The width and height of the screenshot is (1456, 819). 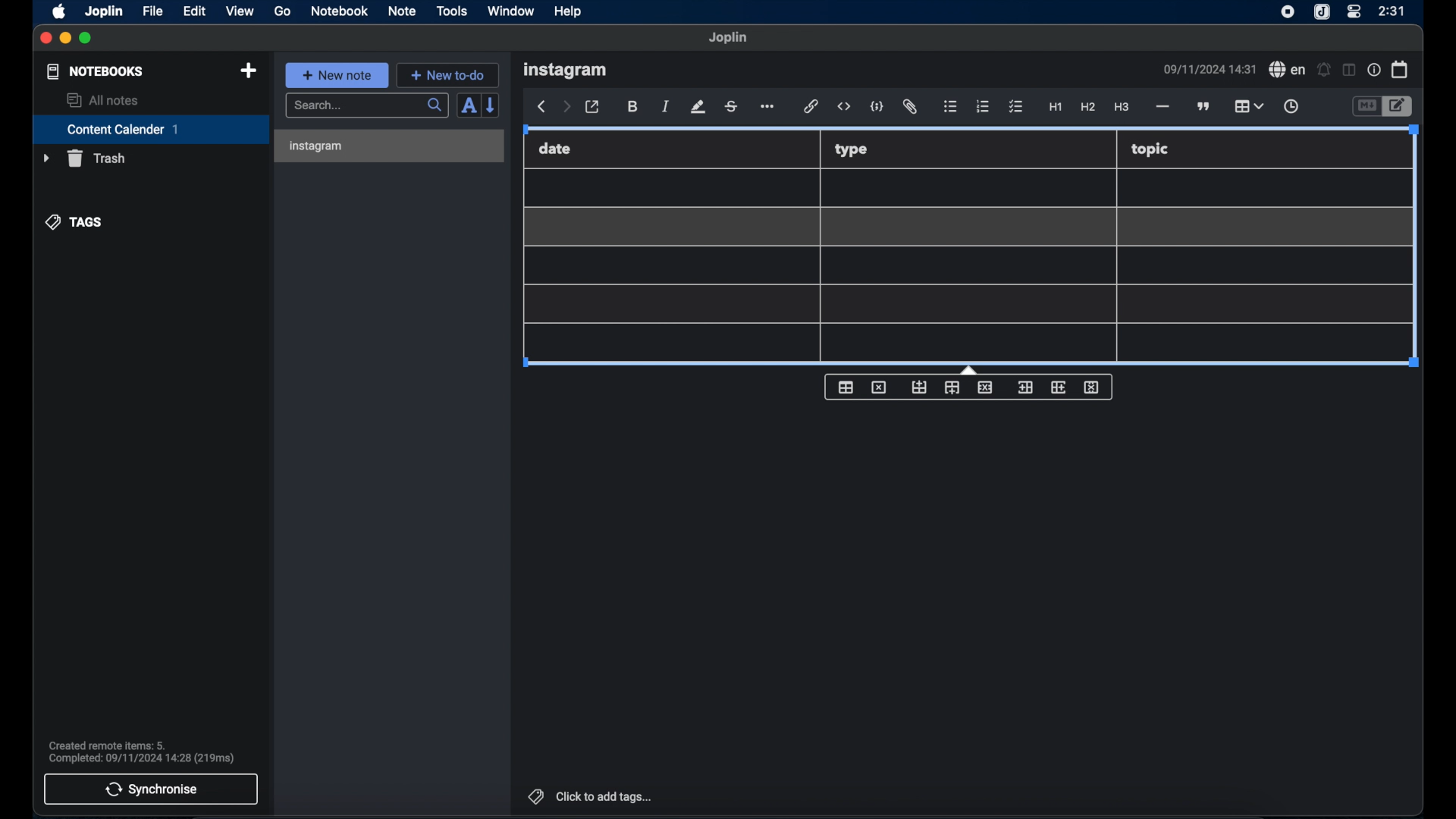 What do you see at coordinates (539, 107) in the screenshot?
I see `back` at bounding box center [539, 107].